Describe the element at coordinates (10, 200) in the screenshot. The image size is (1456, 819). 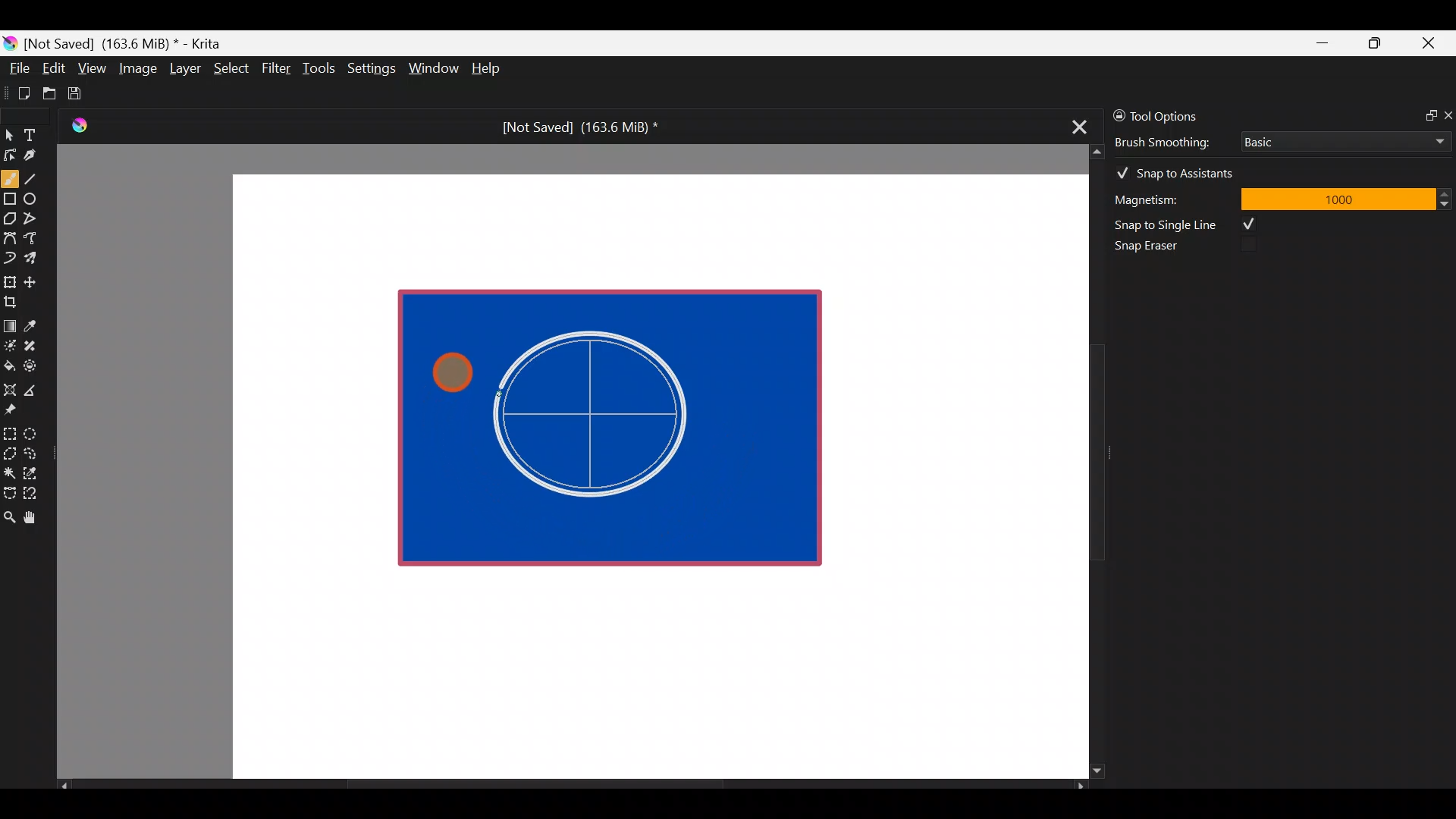
I see `Rectangle tool` at that location.